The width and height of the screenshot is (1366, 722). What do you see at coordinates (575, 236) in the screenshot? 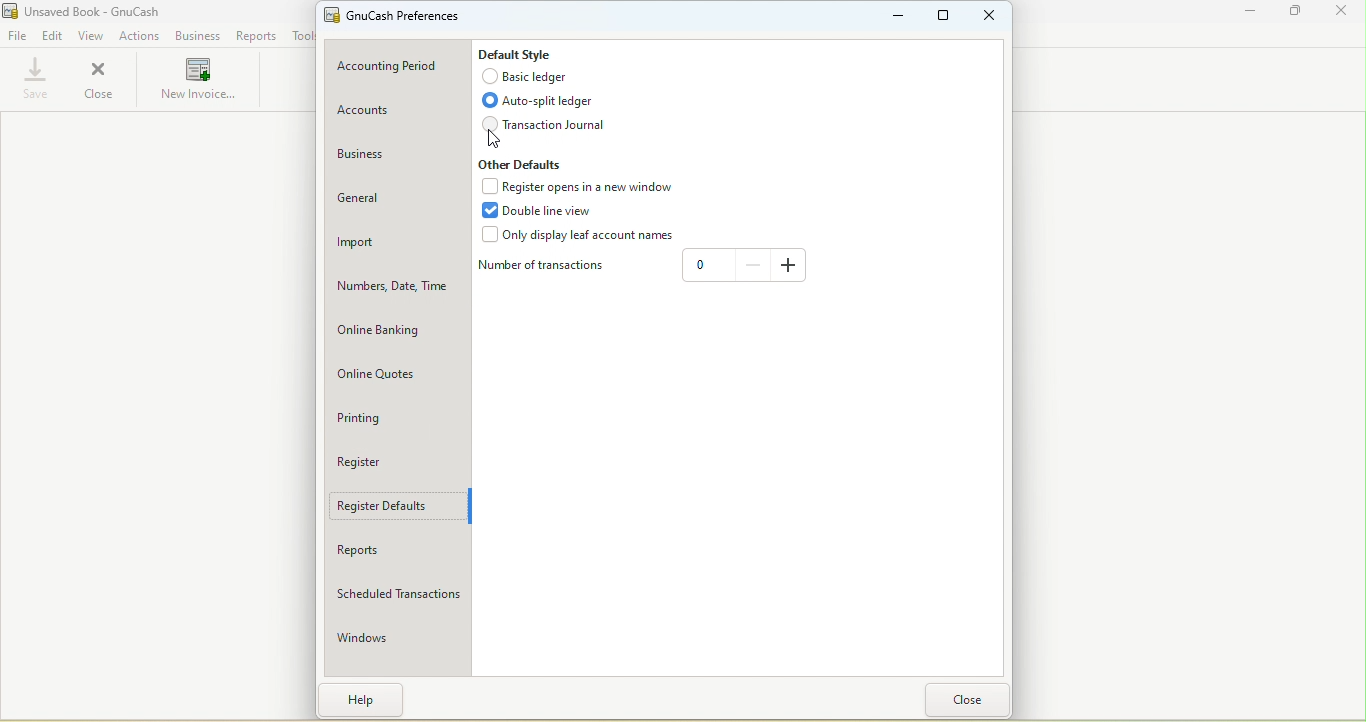
I see `Only display leaf accounts` at bounding box center [575, 236].